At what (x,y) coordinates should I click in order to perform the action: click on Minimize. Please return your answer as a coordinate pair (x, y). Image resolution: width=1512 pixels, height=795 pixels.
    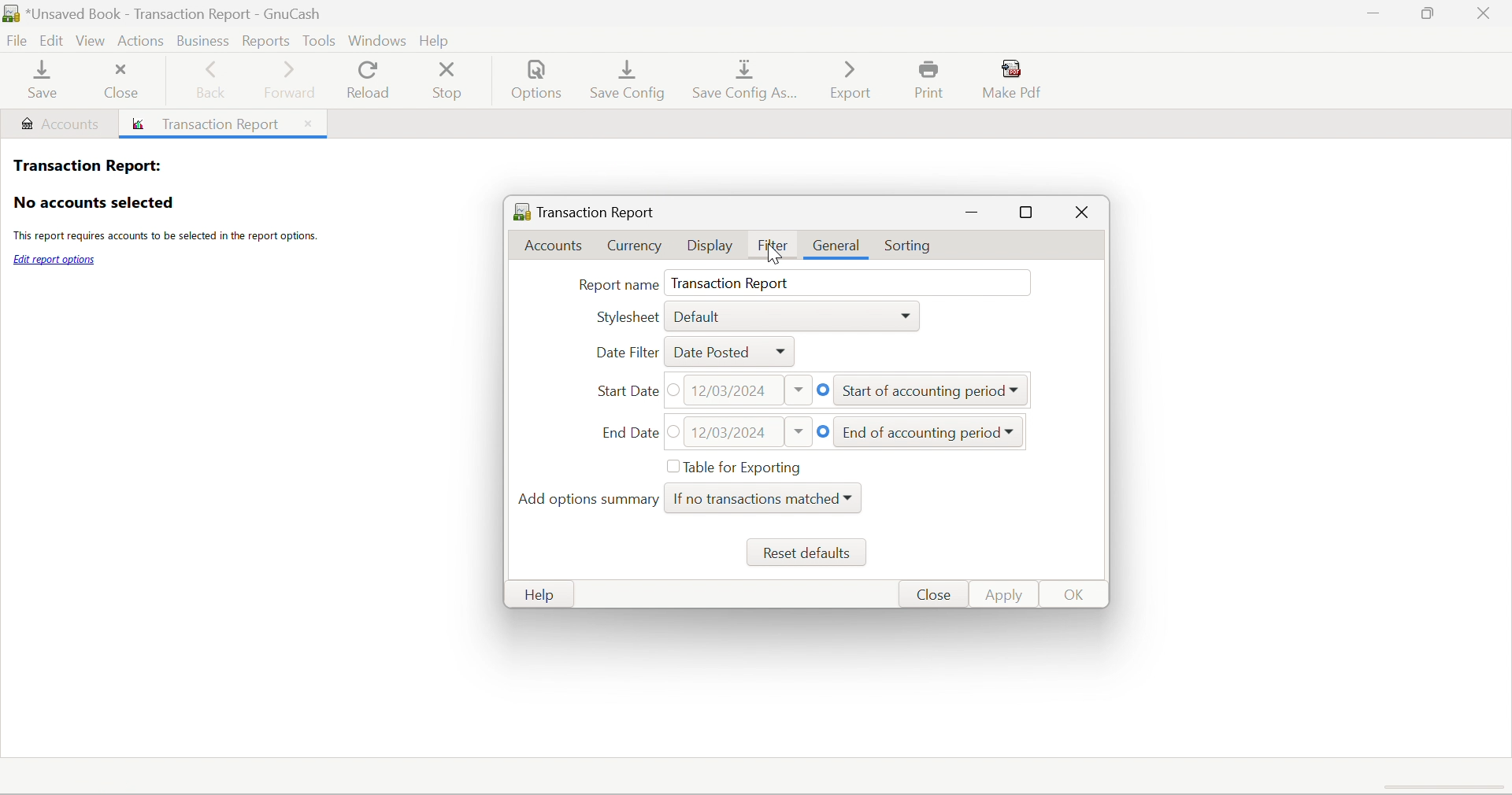
    Looking at the image, I should click on (1369, 14).